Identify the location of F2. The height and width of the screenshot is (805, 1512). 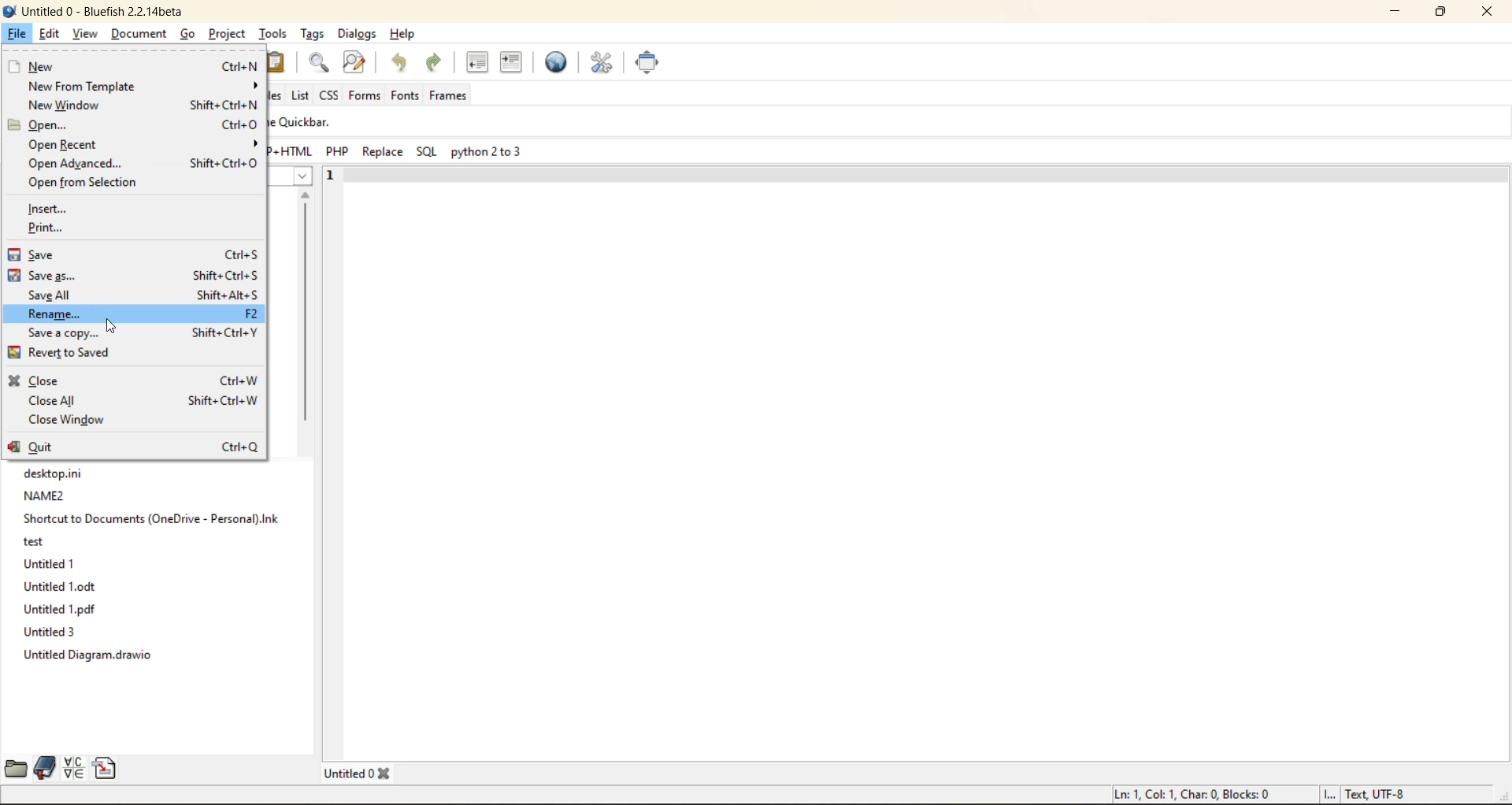
(253, 311).